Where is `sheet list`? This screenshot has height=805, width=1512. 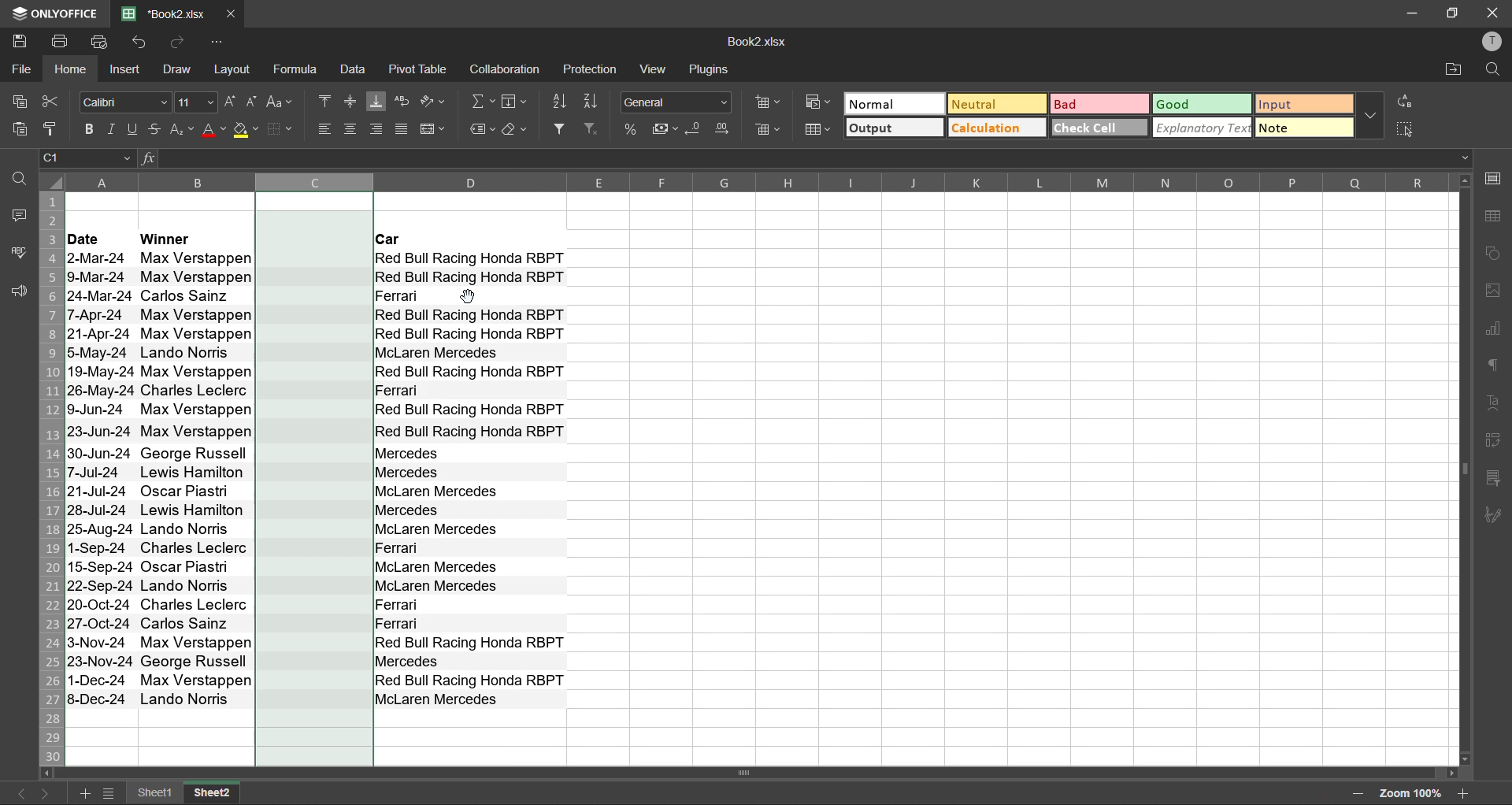 sheet list is located at coordinates (111, 795).